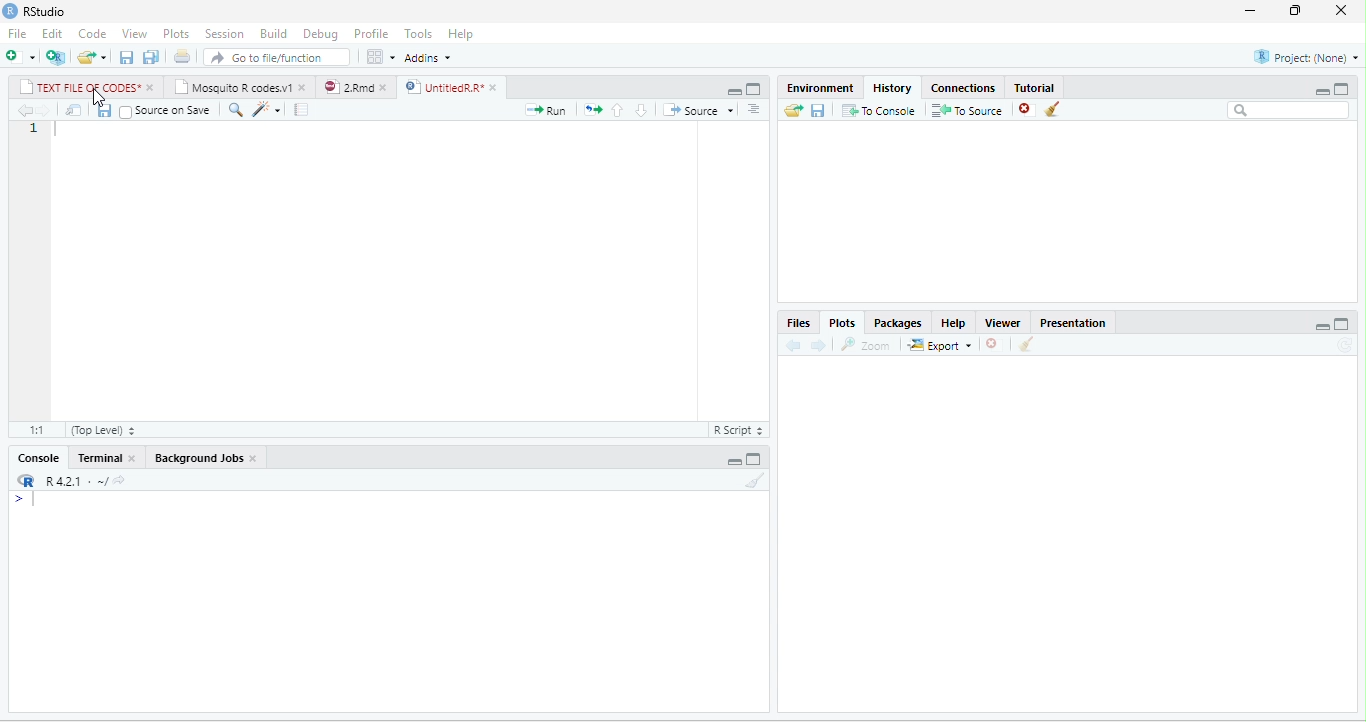 The image size is (1366, 722). I want to click on Export, so click(940, 344).